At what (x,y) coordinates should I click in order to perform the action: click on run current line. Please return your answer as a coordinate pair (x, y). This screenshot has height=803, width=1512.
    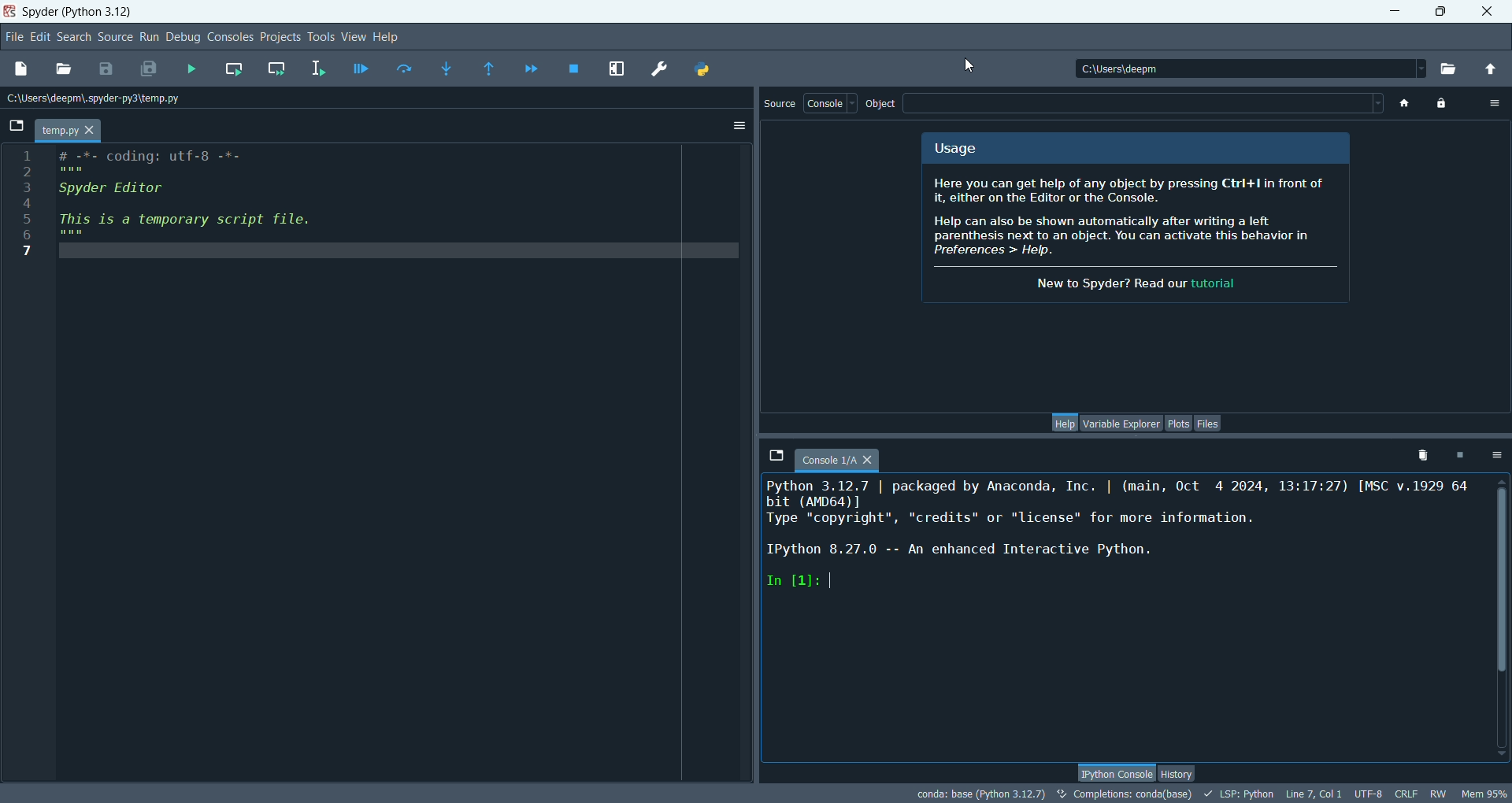
    Looking at the image, I should click on (404, 68).